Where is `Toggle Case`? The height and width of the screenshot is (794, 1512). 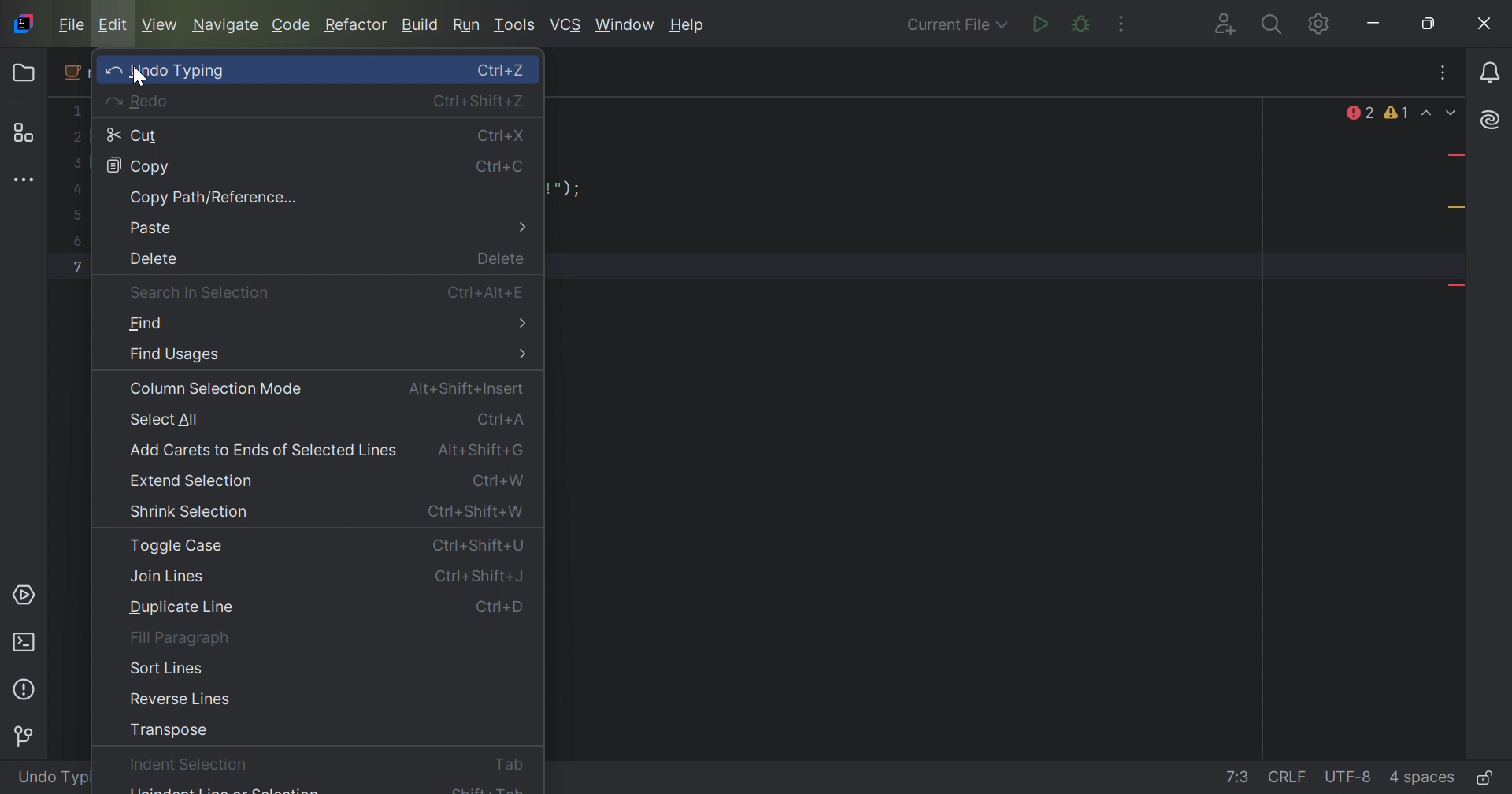
Toggle Case is located at coordinates (178, 544).